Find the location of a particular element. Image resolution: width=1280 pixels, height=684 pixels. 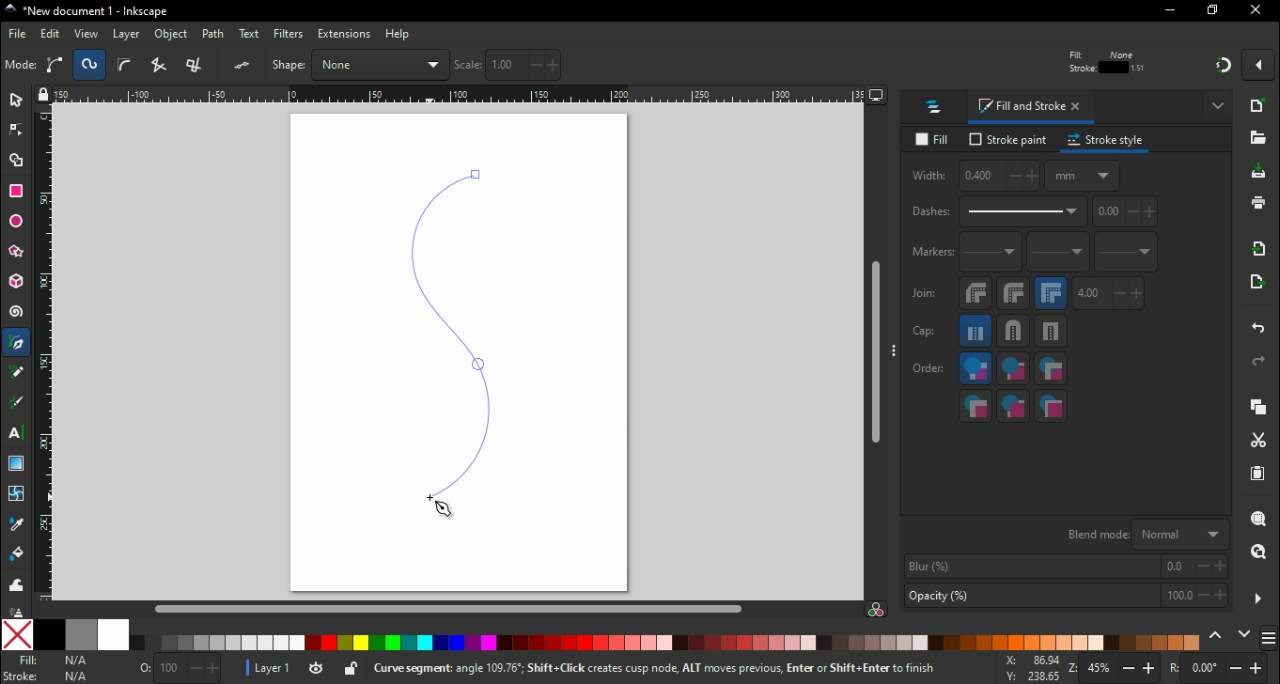

spiral tool is located at coordinates (17, 315).